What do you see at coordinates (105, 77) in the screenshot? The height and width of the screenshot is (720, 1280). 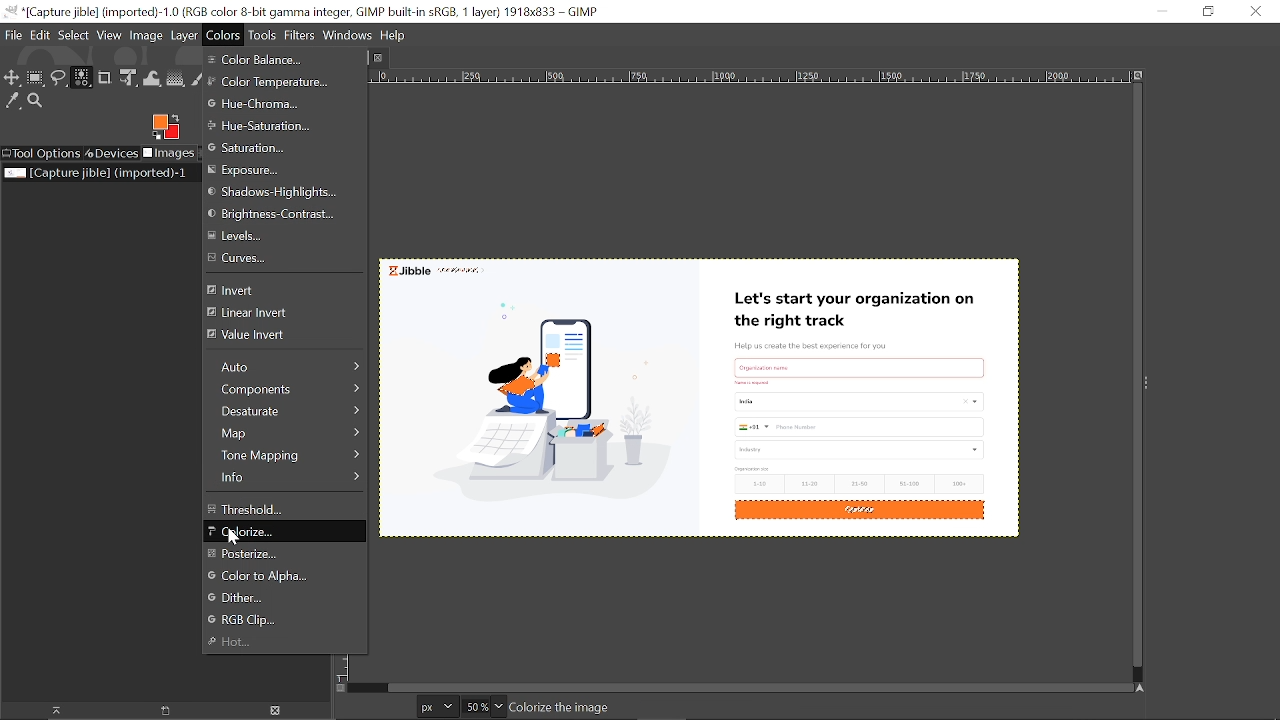 I see `Crop tool` at bounding box center [105, 77].